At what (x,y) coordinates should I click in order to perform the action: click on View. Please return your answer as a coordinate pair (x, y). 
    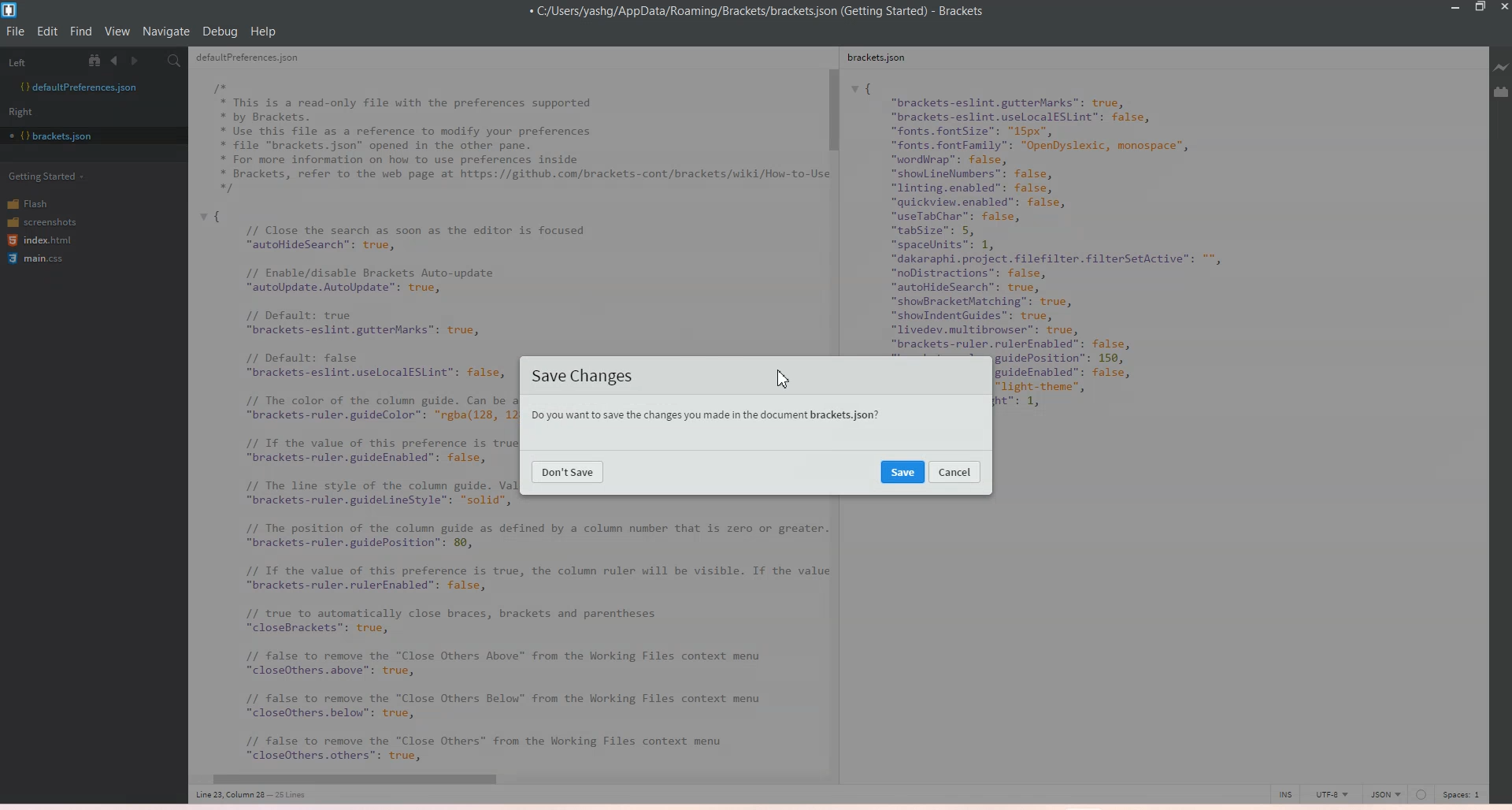
    Looking at the image, I should click on (117, 32).